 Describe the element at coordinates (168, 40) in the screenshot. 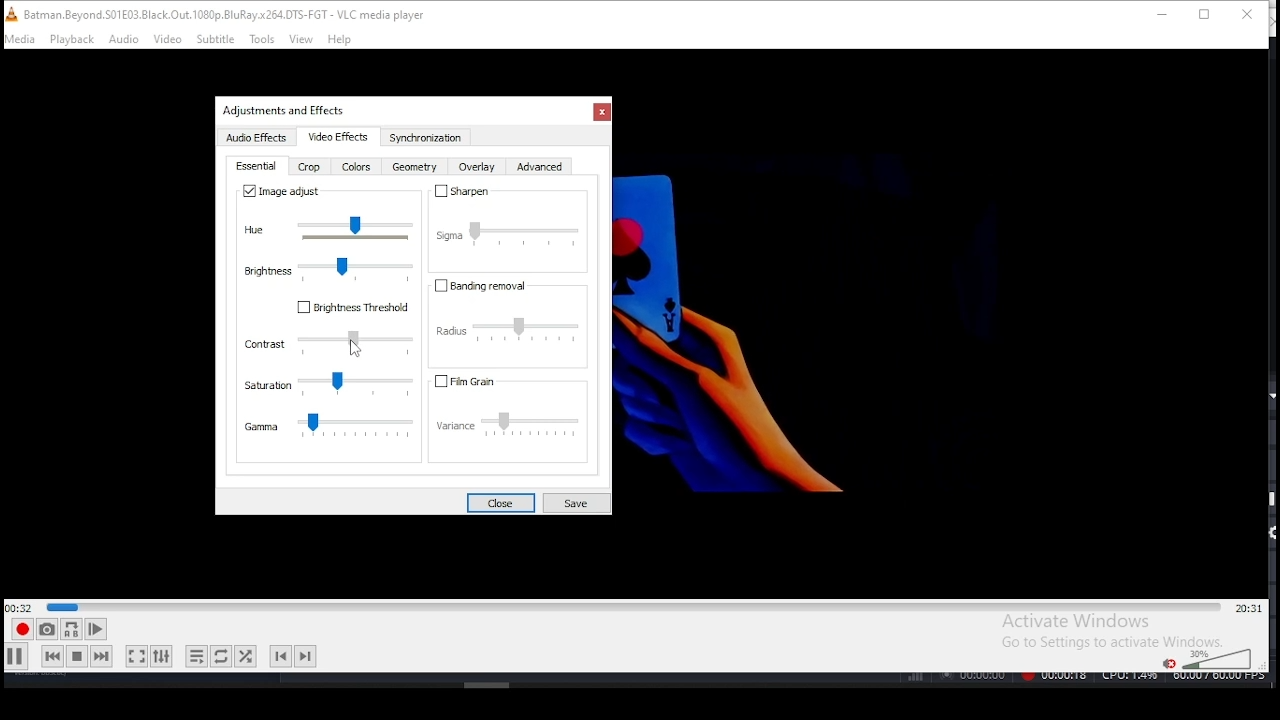

I see `video` at that location.